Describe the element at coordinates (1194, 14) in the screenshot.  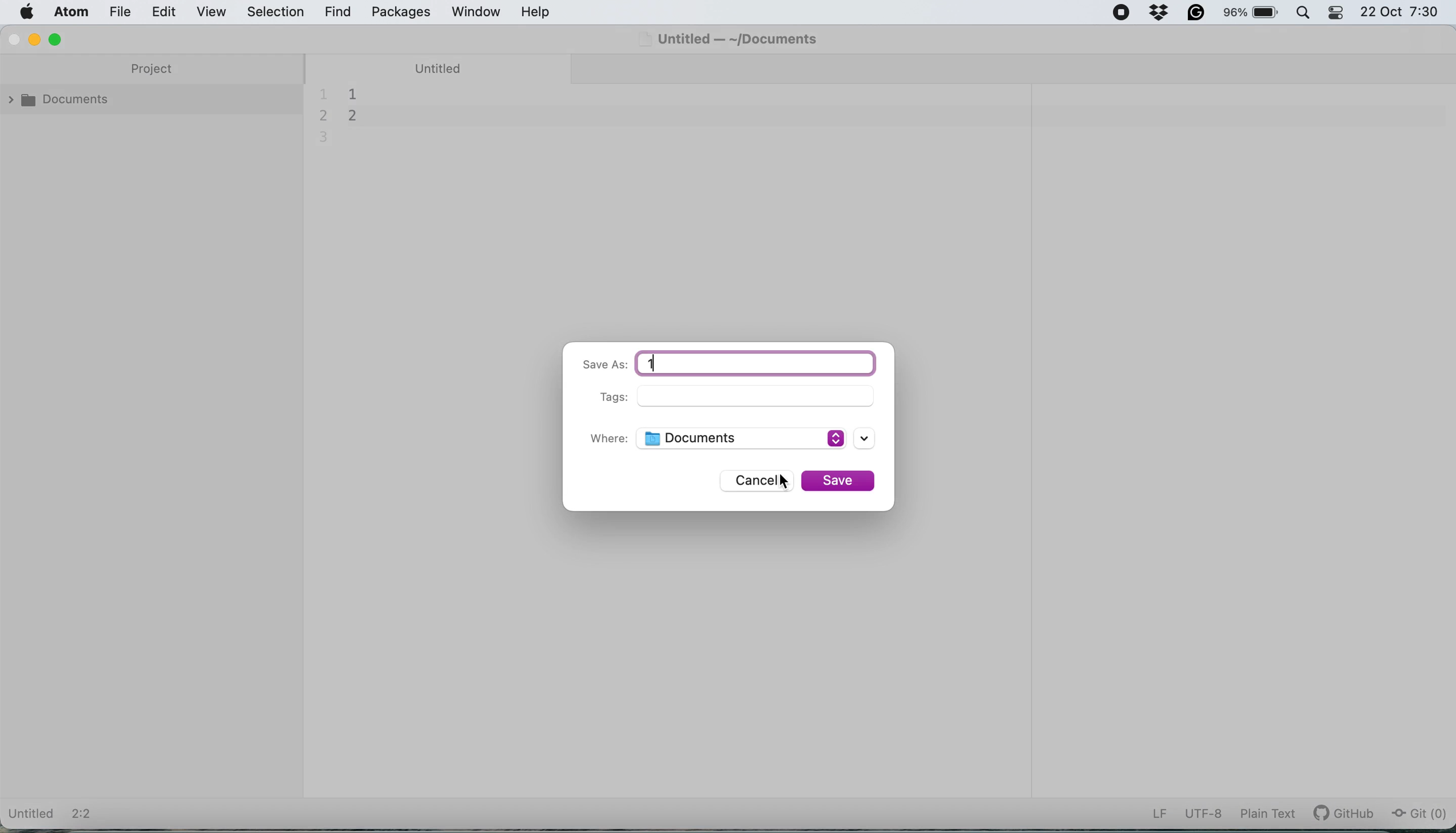
I see `grammarly` at that location.